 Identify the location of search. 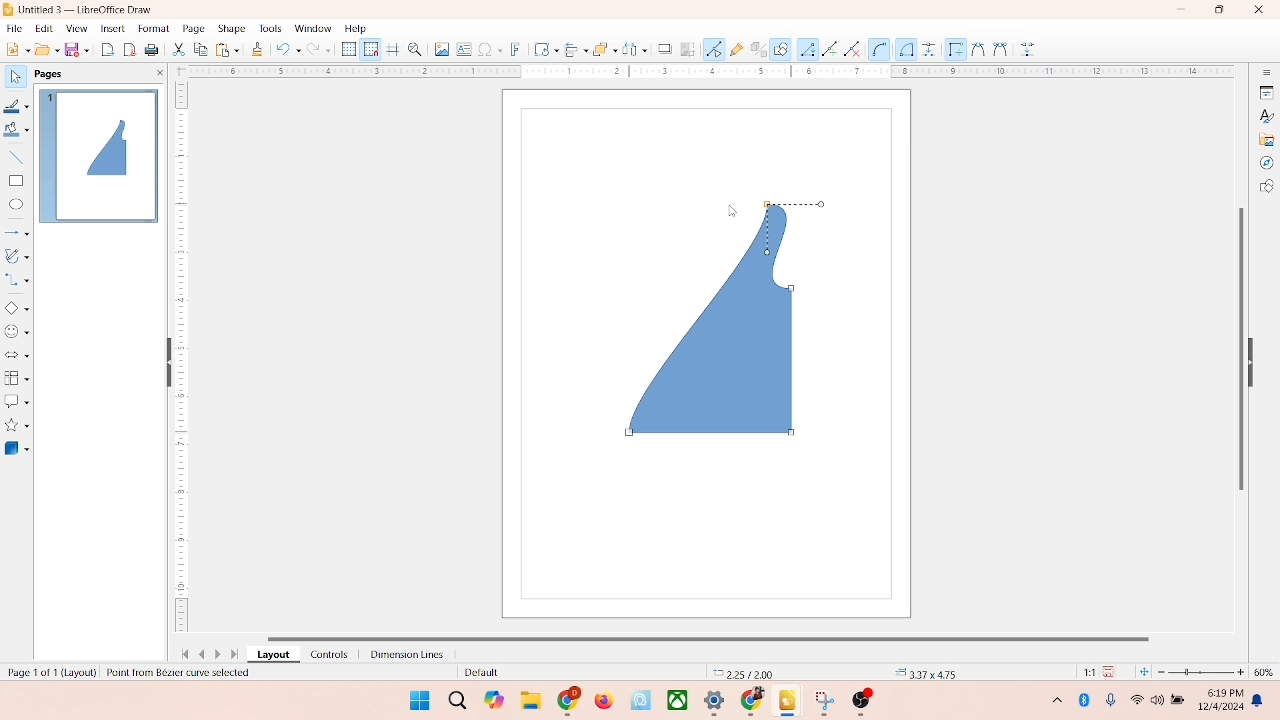
(458, 701).